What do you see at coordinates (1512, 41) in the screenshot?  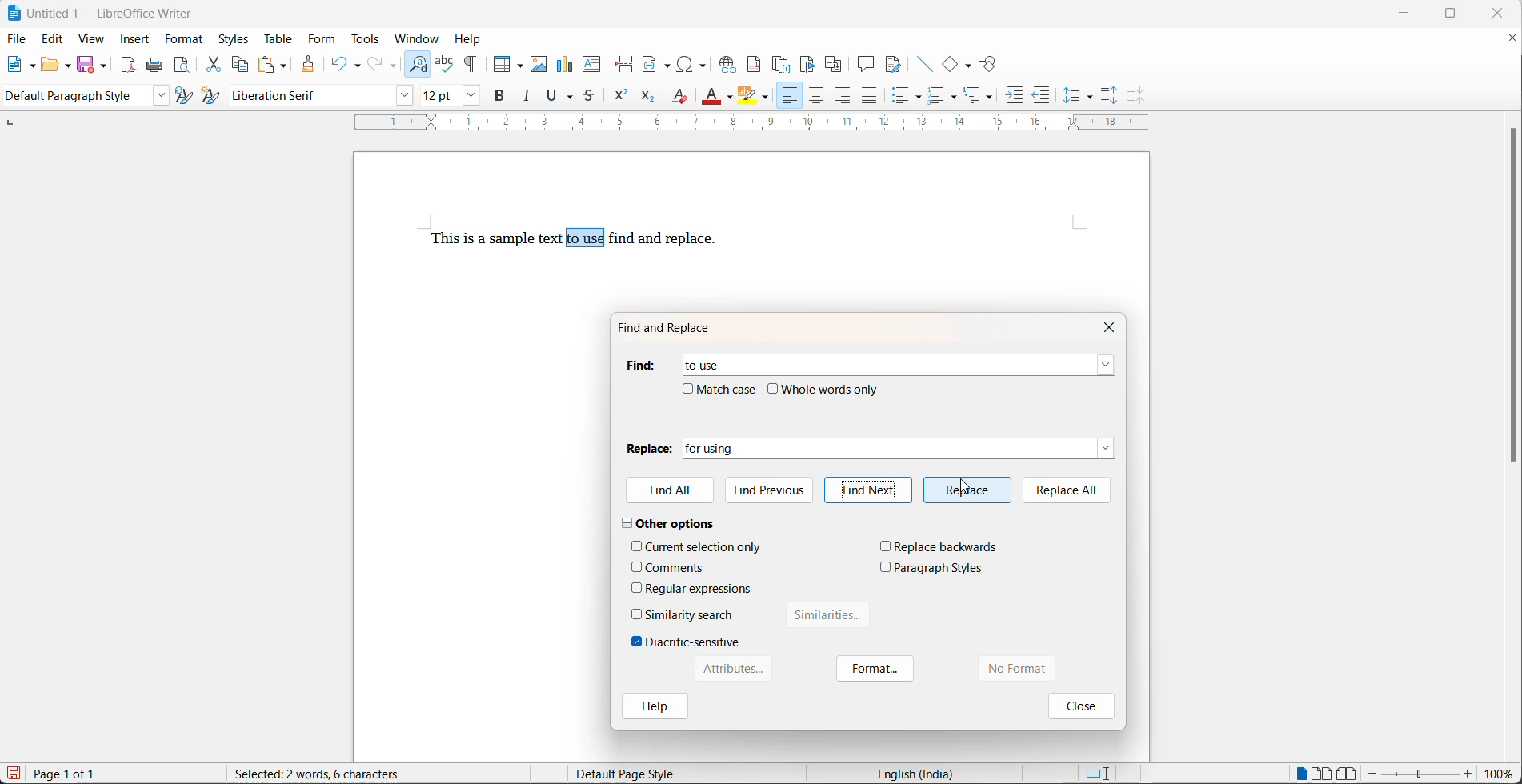 I see `close document` at bounding box center [1512, 41].